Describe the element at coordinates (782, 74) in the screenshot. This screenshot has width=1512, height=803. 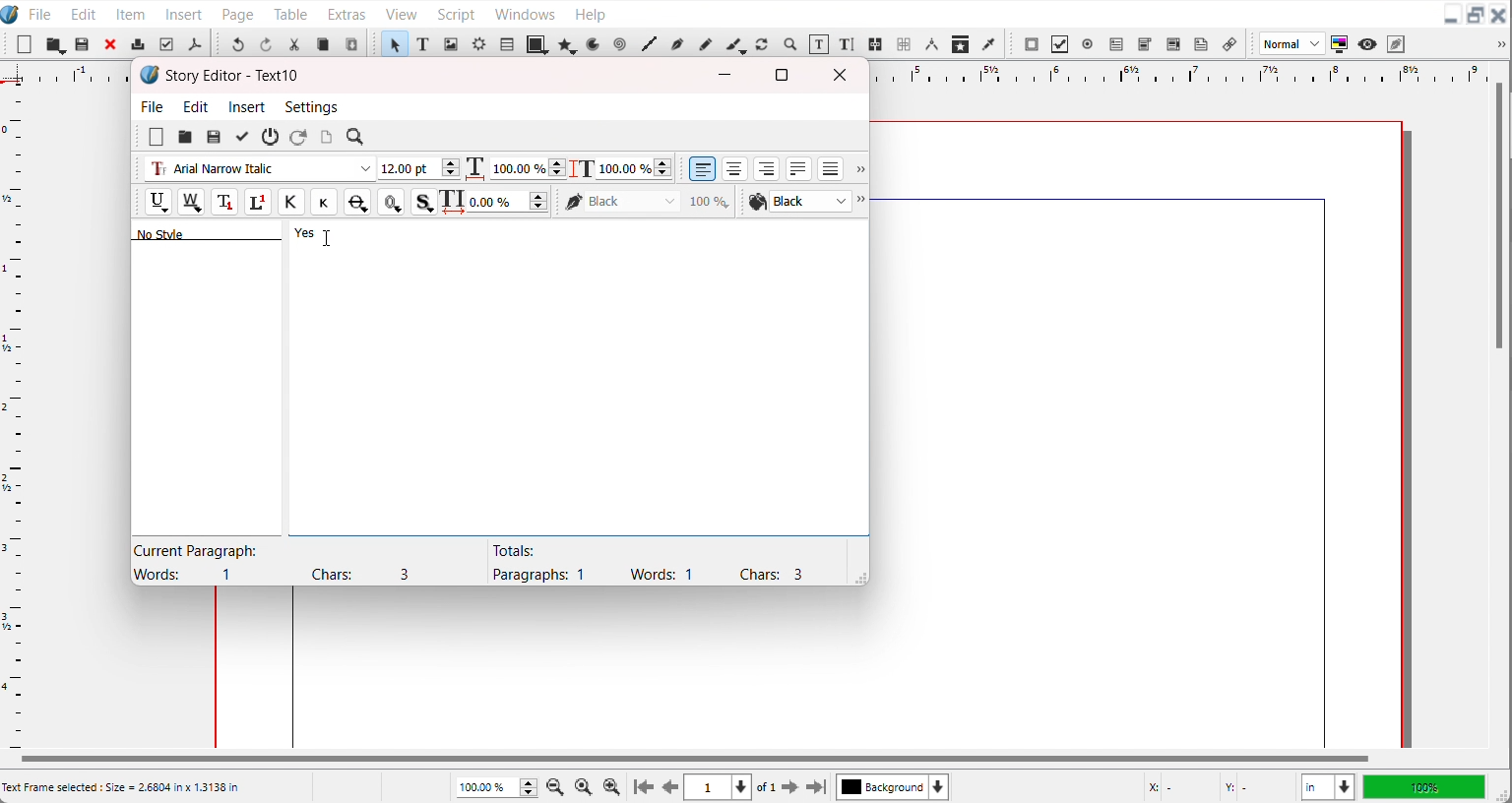
I see `Maximize` at that location.